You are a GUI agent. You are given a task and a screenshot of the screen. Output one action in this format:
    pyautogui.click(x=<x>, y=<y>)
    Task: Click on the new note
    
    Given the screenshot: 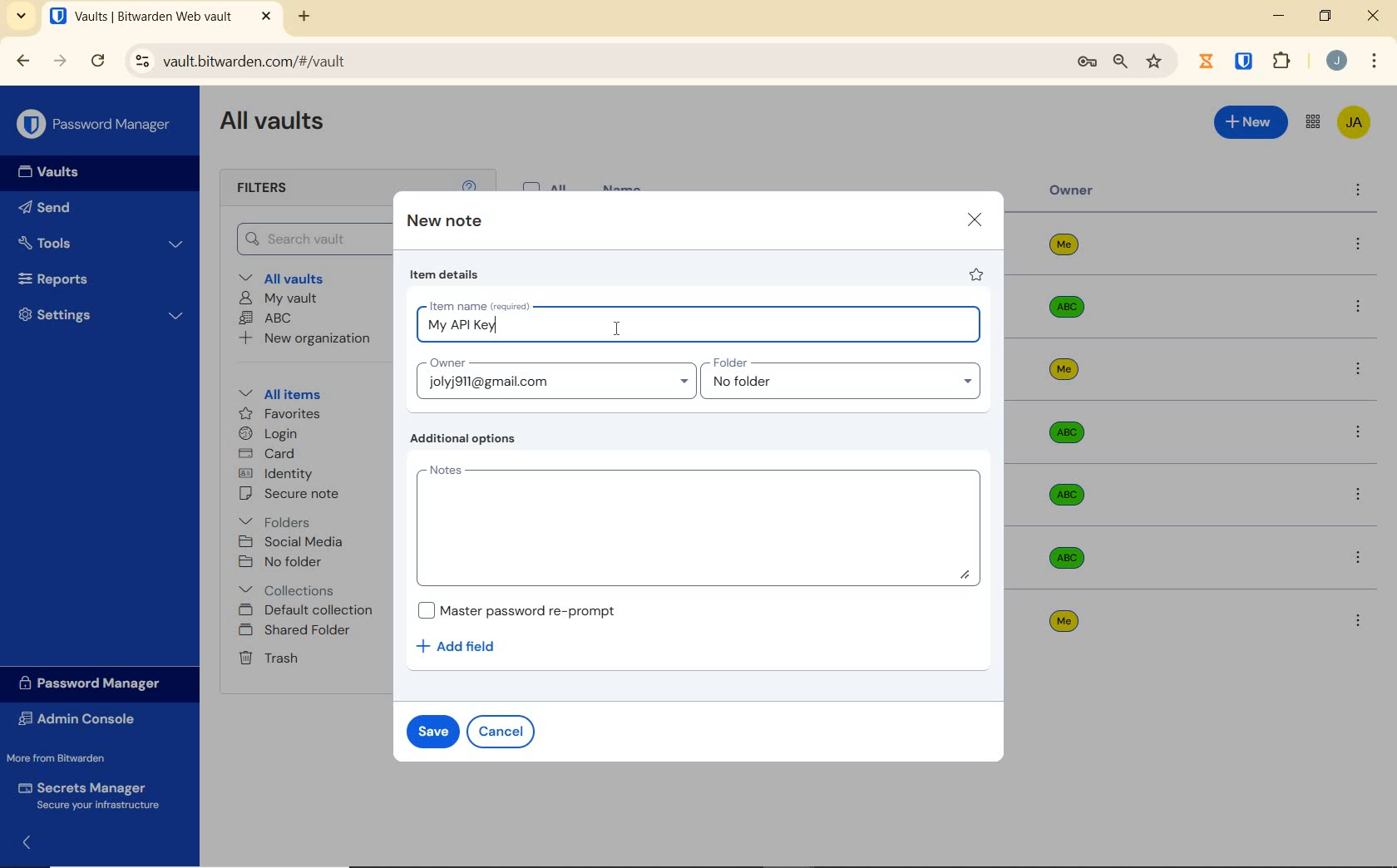 What is the action you would take?
    pyautogui.click(x=444, y=222)
    